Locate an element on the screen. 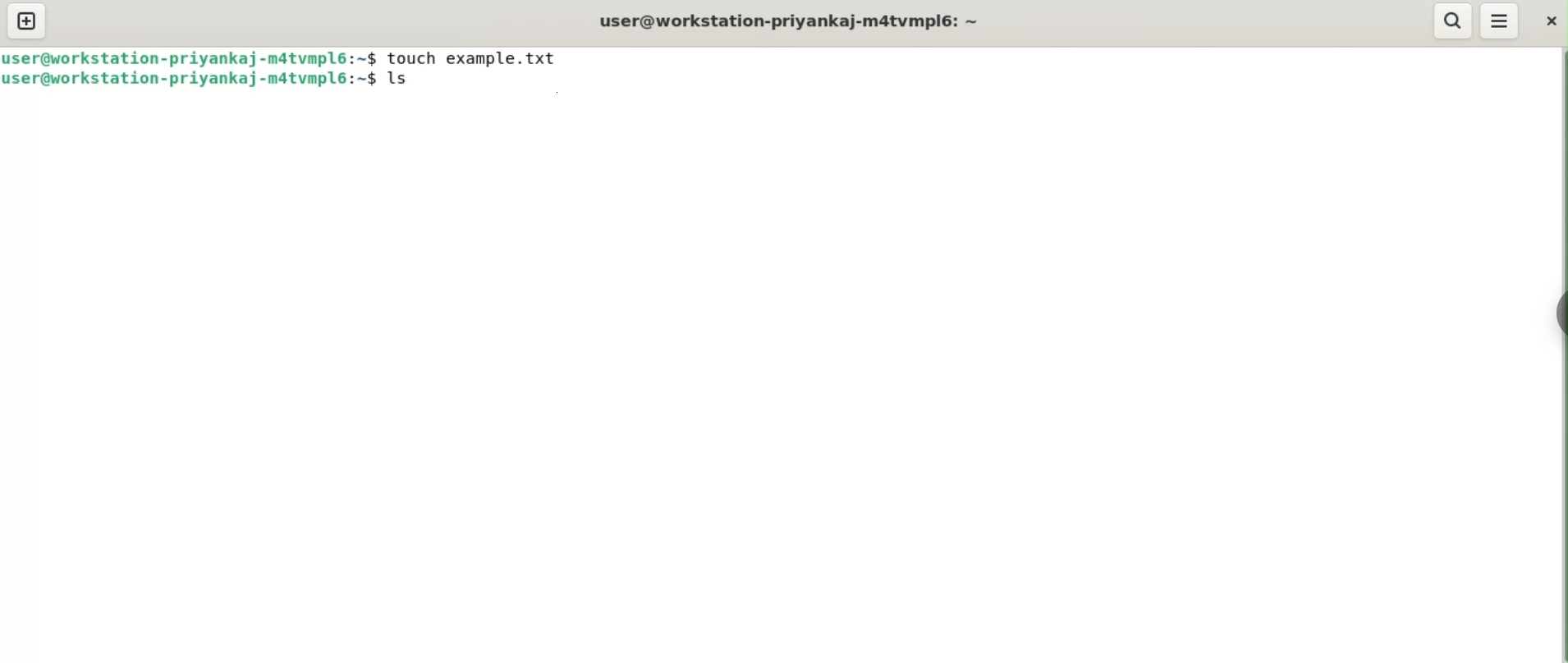  user@workstation-priyankaj-m4tvmpl6: ~ is located at coordinates (790, 21).